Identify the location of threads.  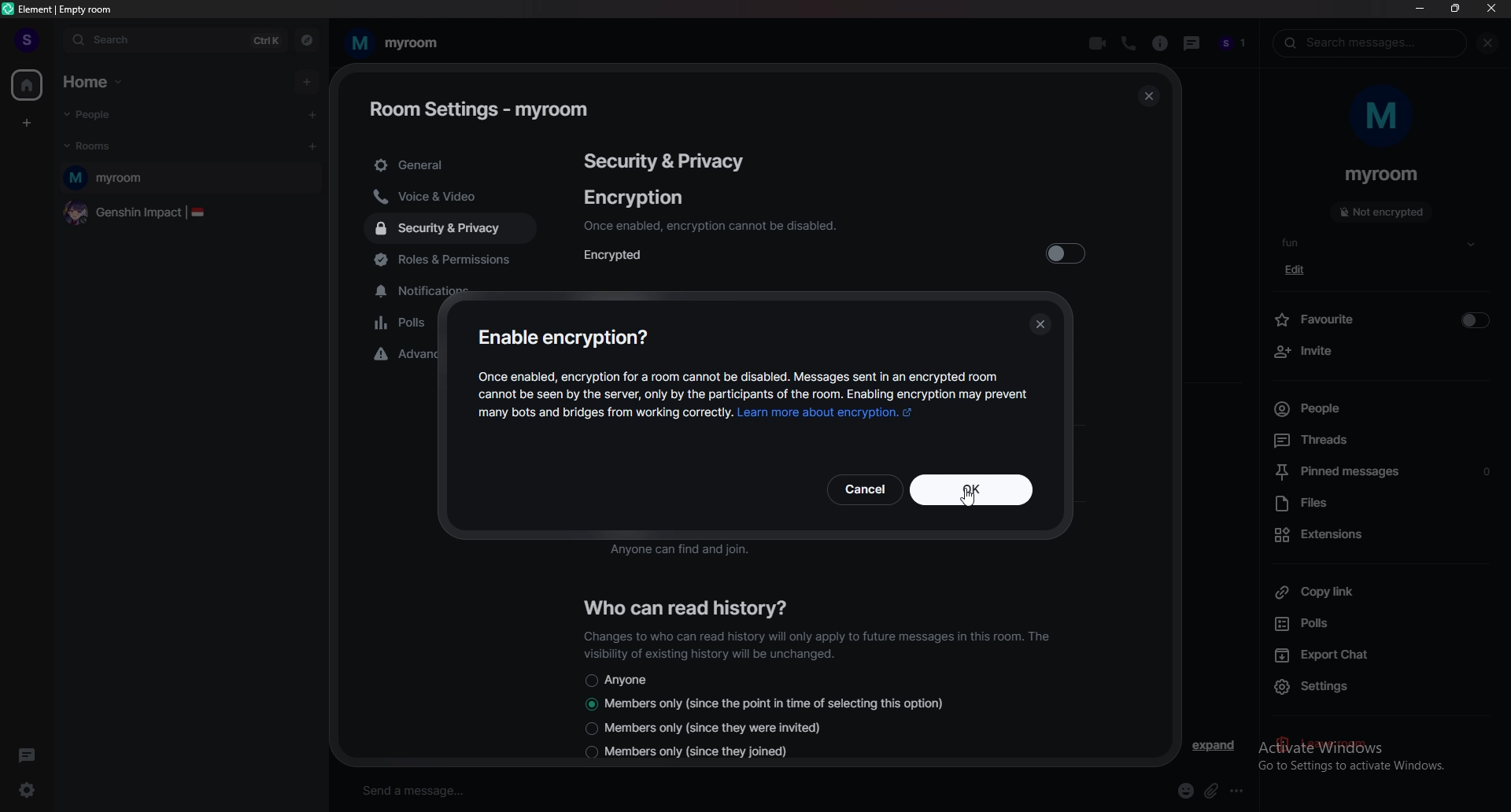
(1192, 43).